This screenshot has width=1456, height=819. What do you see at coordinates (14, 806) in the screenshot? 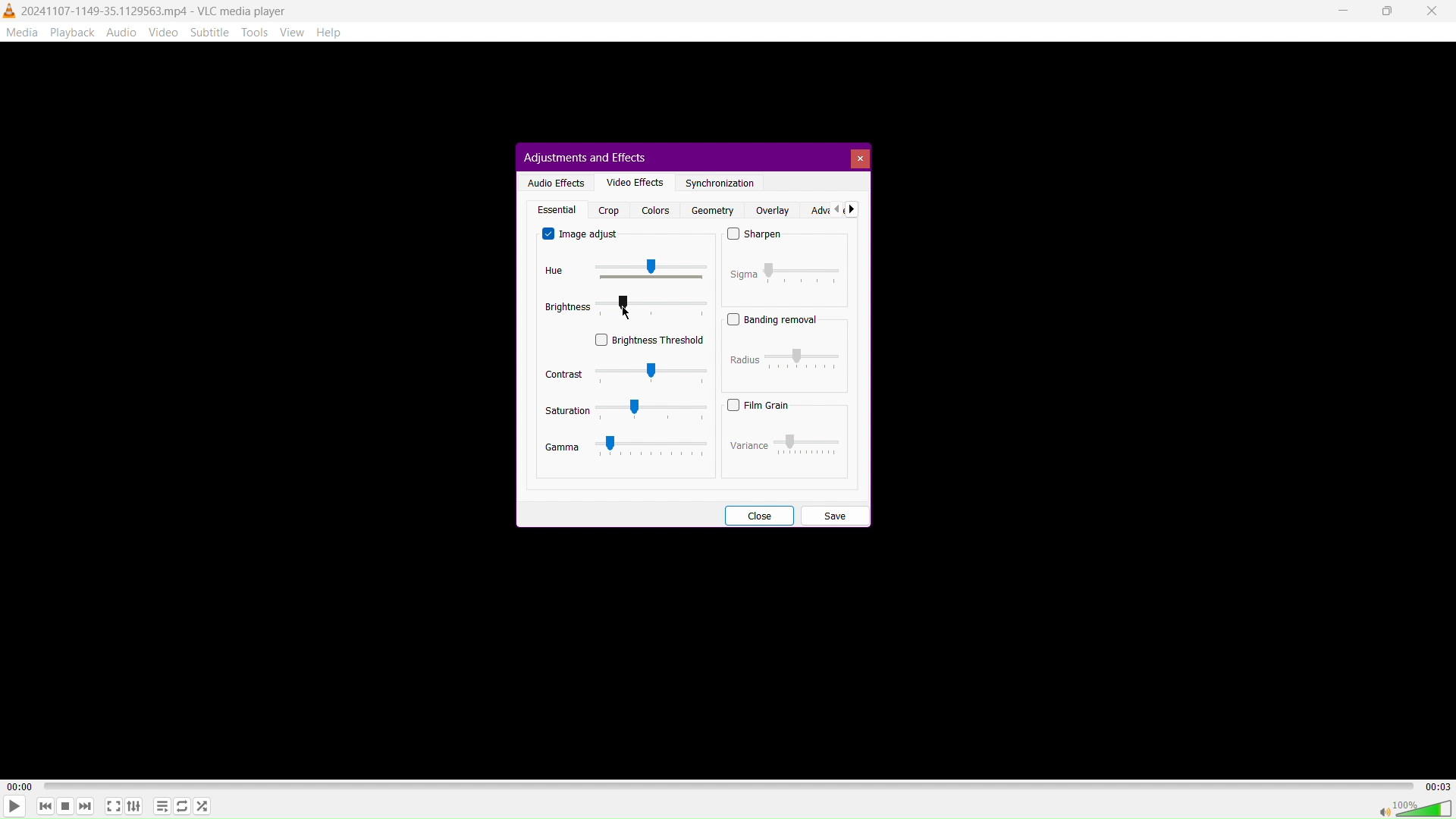
I see `Play` at bounding box center [14, 806].